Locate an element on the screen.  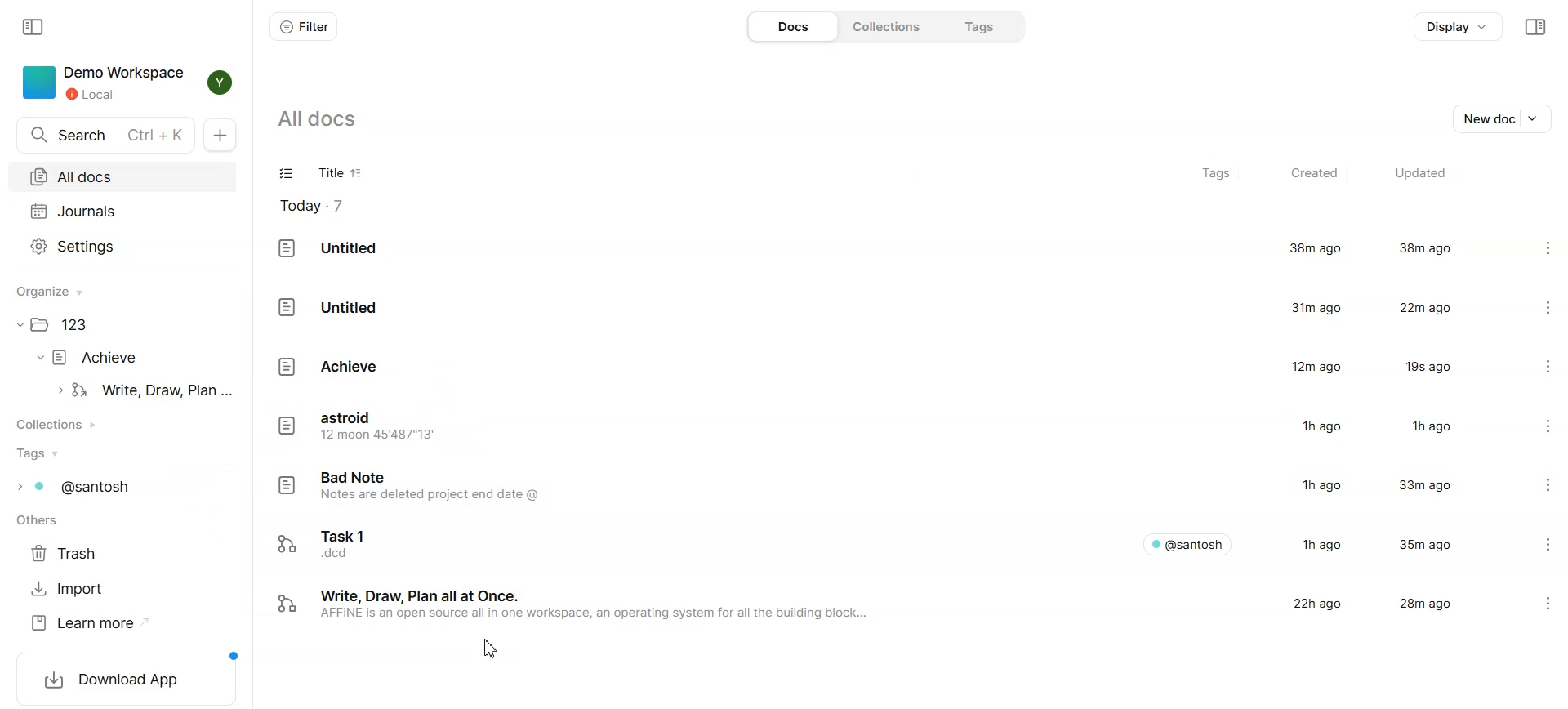
New doc is located at coordinates (1505, 117).